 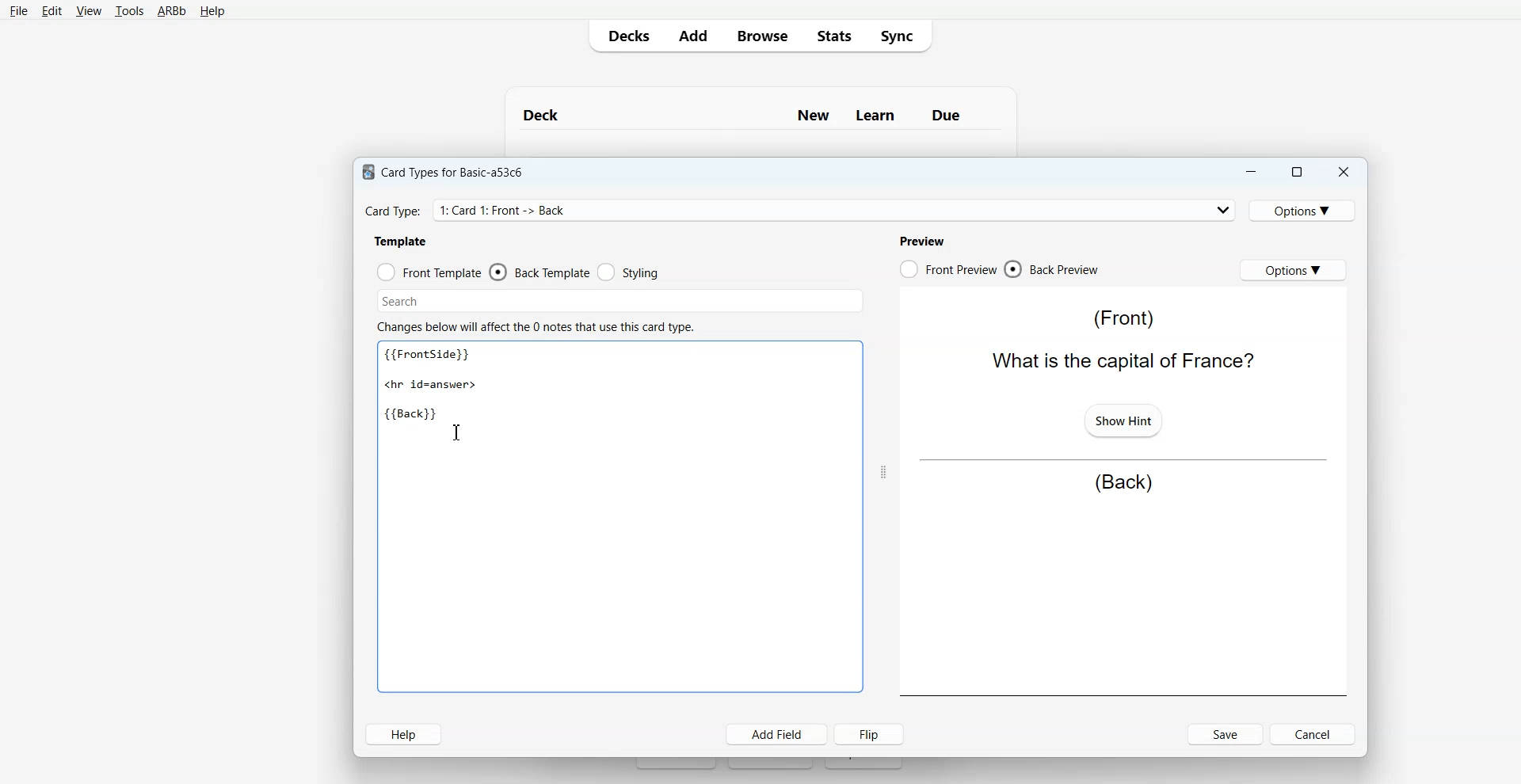 I want to click on Front Template, so click(x=429, y=272).